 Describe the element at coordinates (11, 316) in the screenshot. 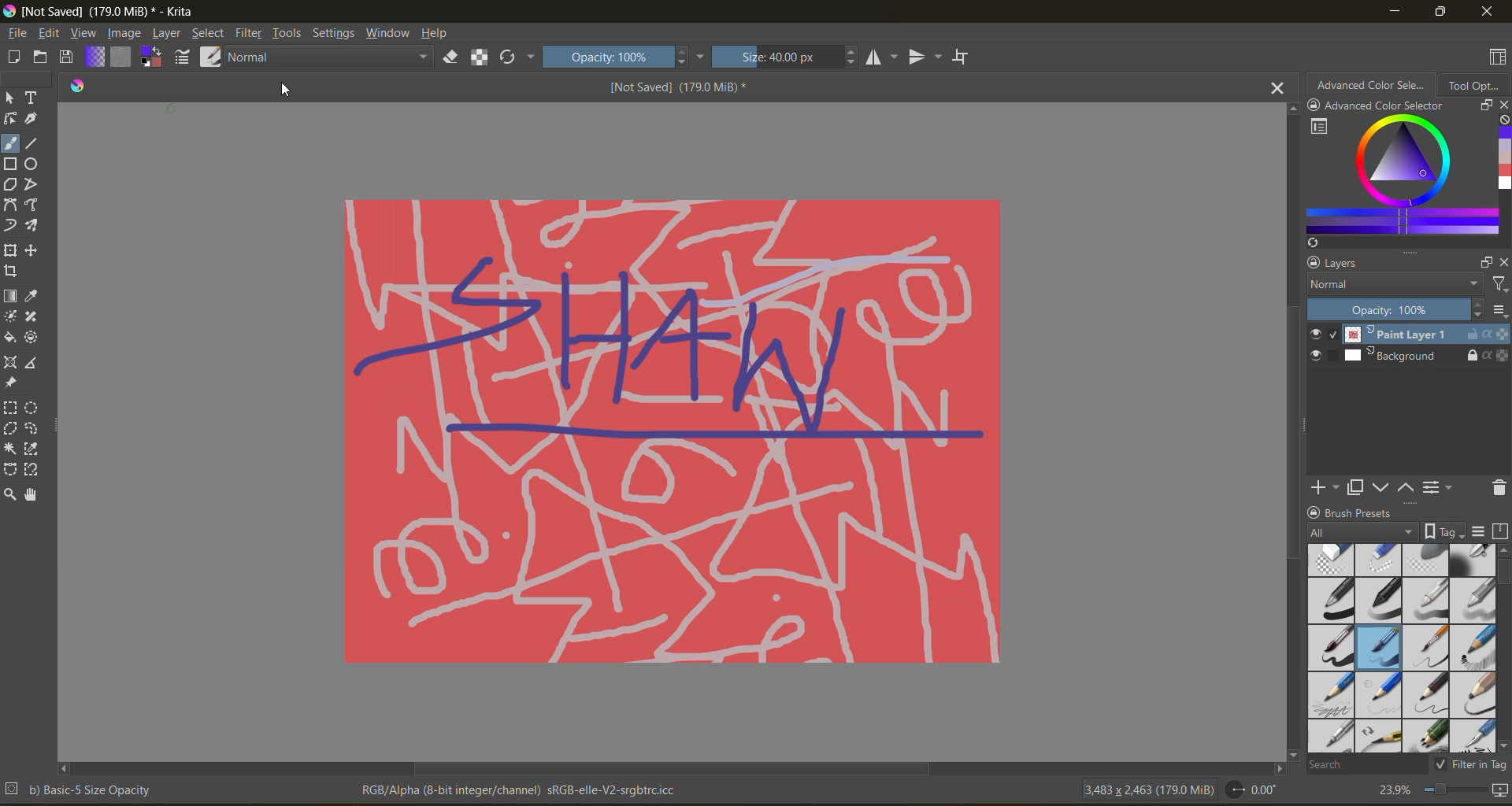

I see `colorize mask tool` at that location.